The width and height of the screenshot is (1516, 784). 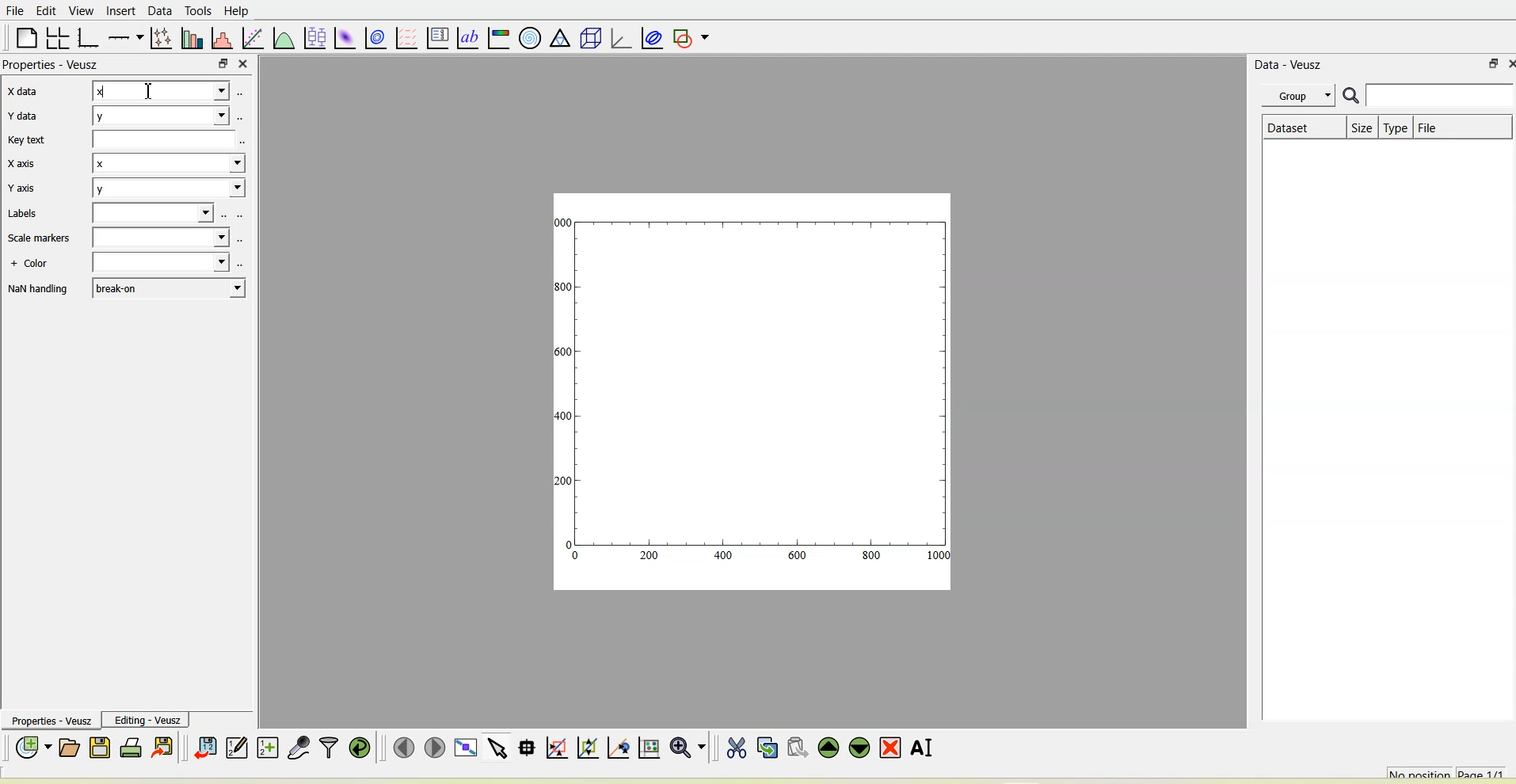 What do you see at coordinates (167, 287) in the screenshot?
I see `break-on ` at bounding box center [167, 287].